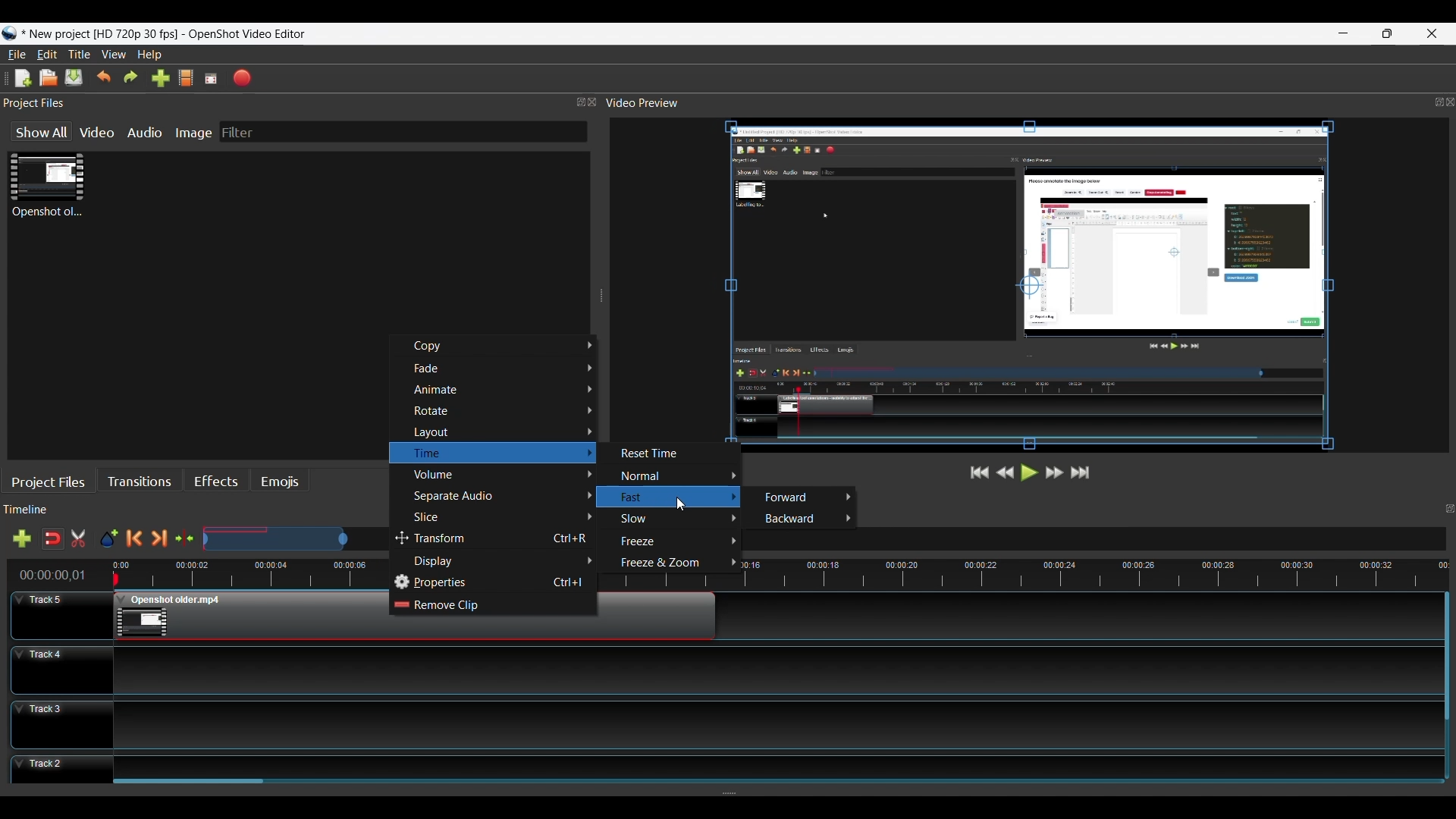 This screenshot has width=1456, height=819. Describe the element at coordinates (192, 785) in the screenshot. I see `Horizontal Scroll bar` at that location.